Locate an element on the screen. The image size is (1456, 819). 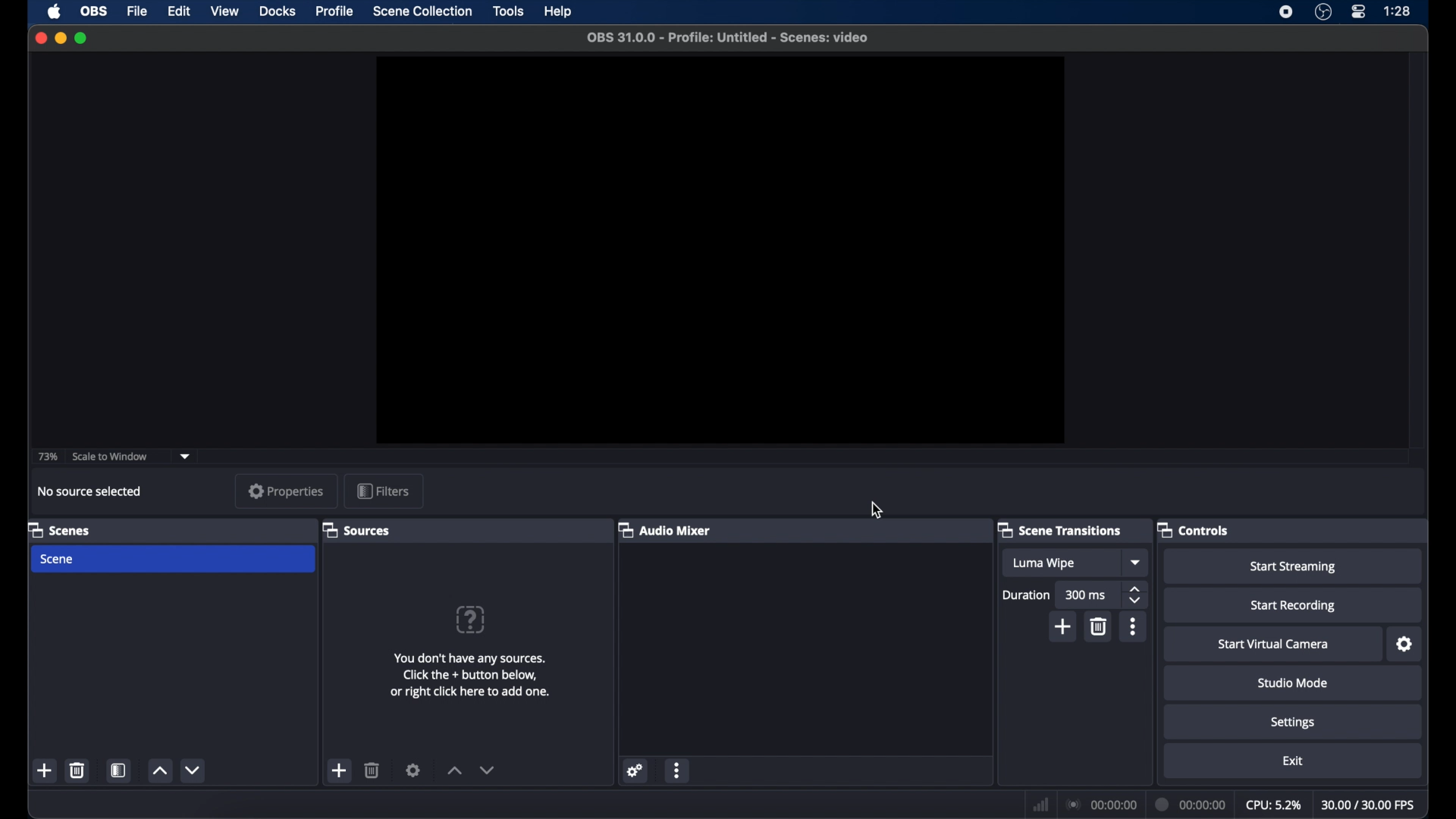
cpu is located at coordinates (1272, 805).